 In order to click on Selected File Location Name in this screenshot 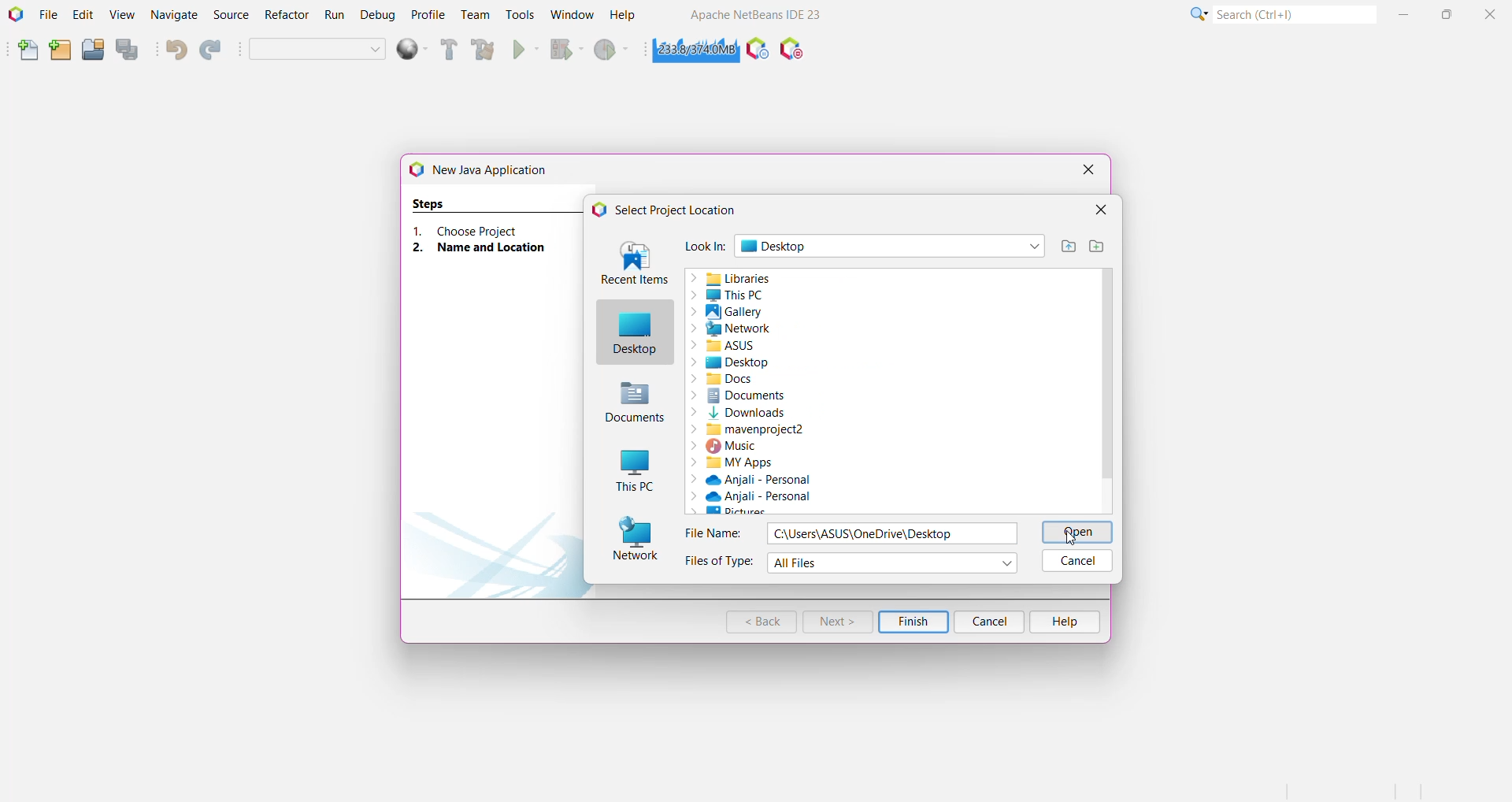, I will do `click(893, 533)`.